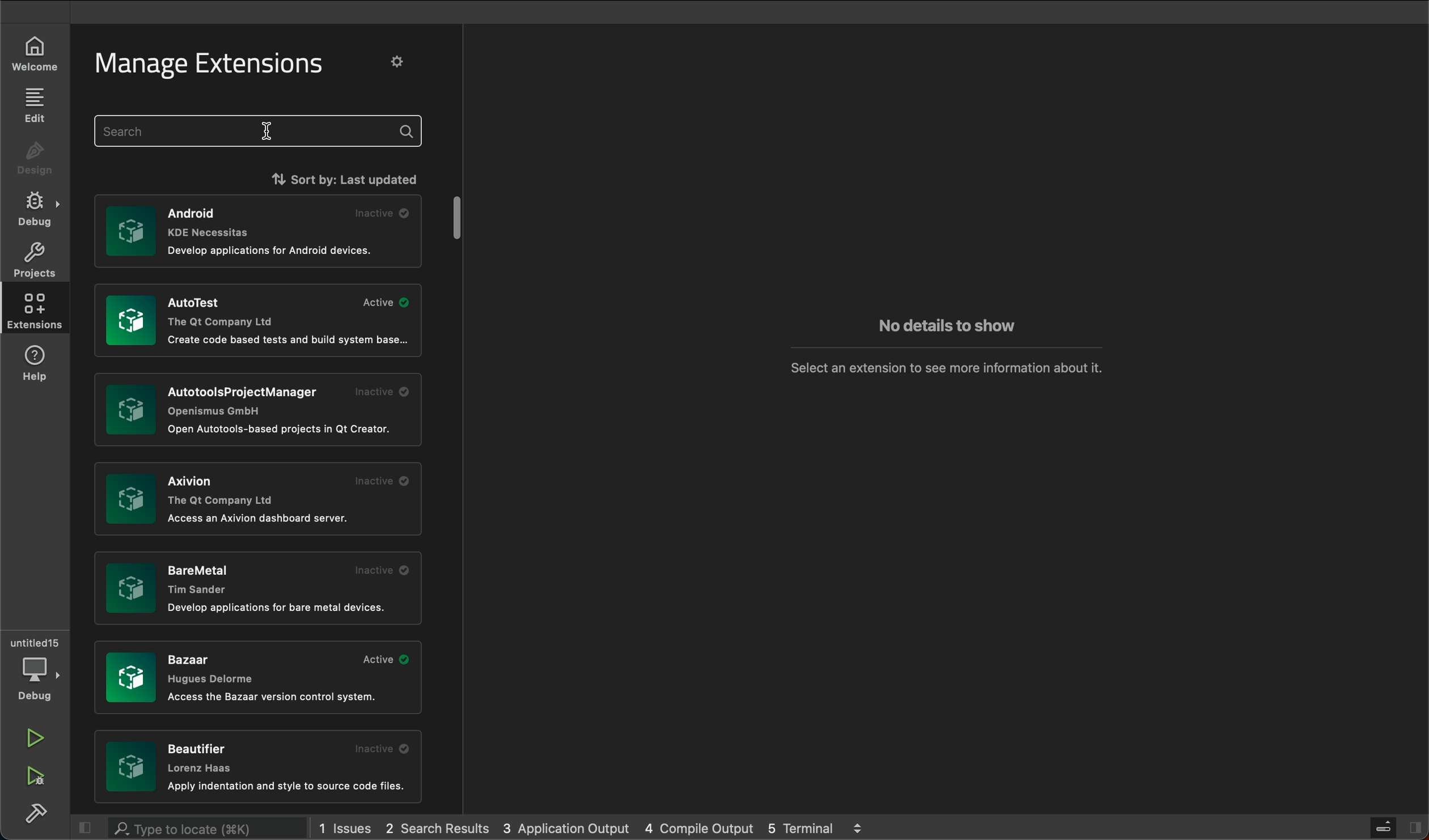 This screenshot has width=1429, height=840. I want to click on cursor, so click(272, 133).